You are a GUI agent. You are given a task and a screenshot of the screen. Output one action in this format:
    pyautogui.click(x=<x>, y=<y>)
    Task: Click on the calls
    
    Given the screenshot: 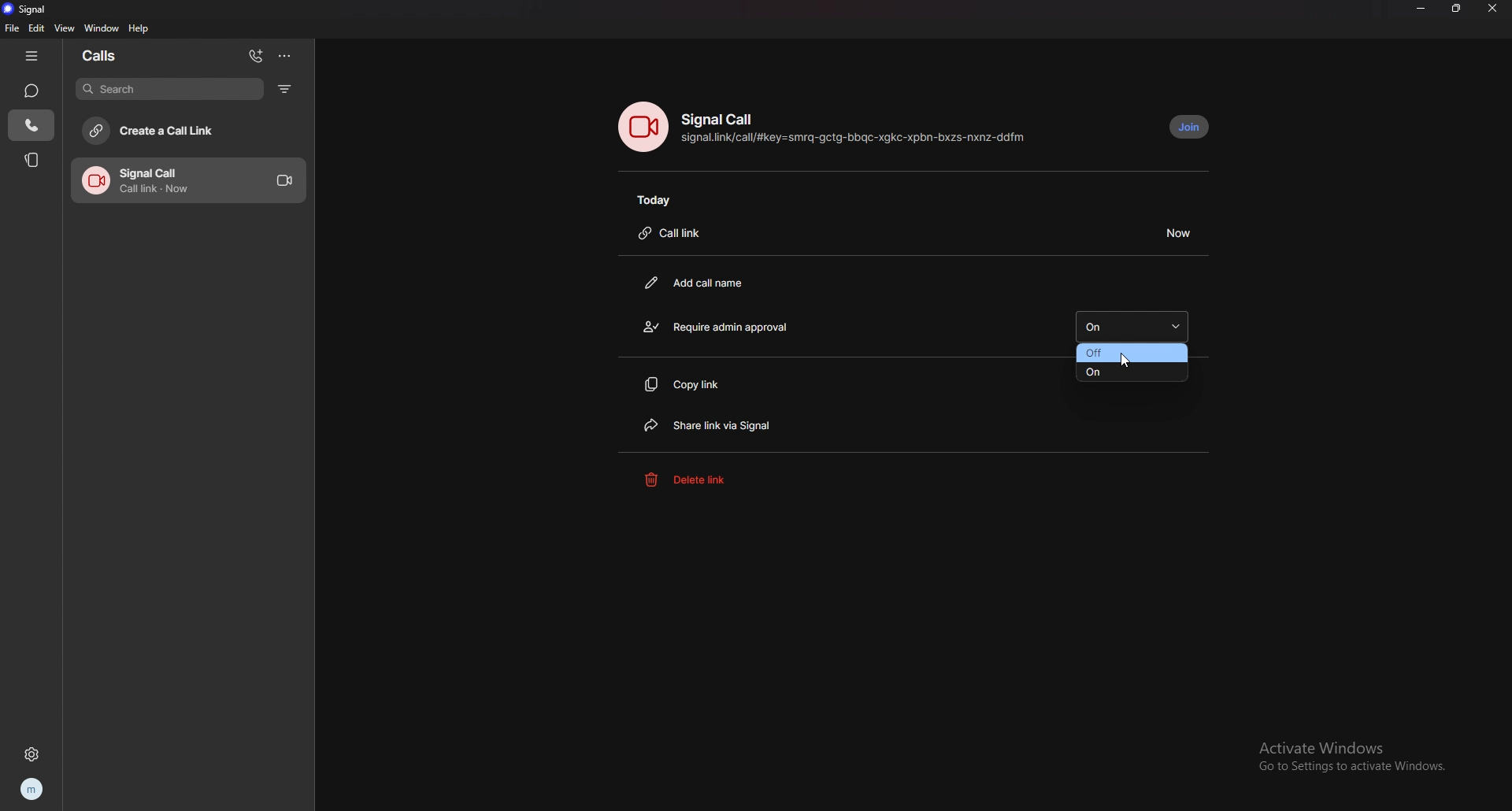 What is the action you would take?
    pyautogui.click(x=118, y=54)
    